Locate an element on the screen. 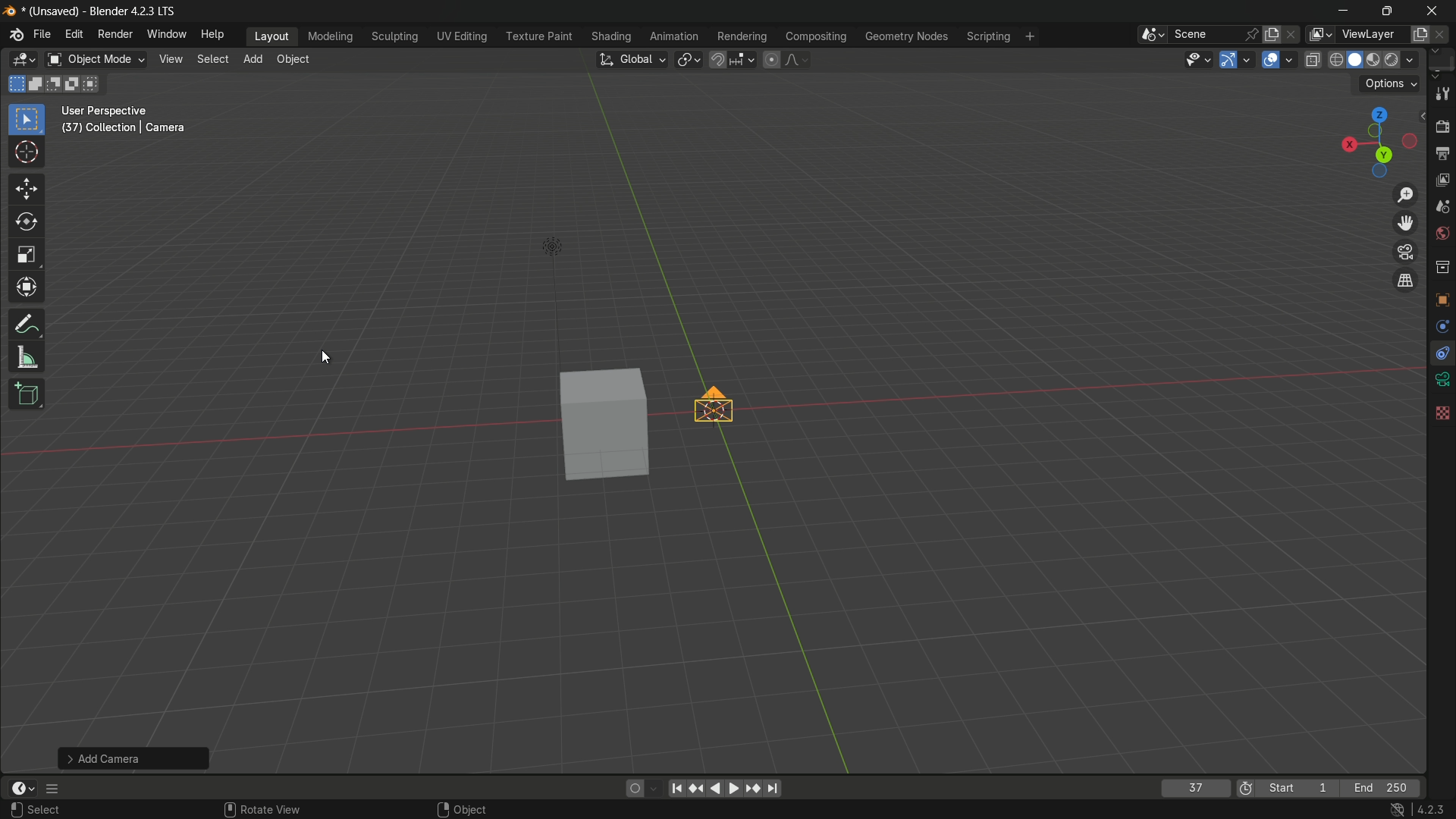 This screenshot has width=1456, height=819. start new selection is located at coordinates (16, 83).